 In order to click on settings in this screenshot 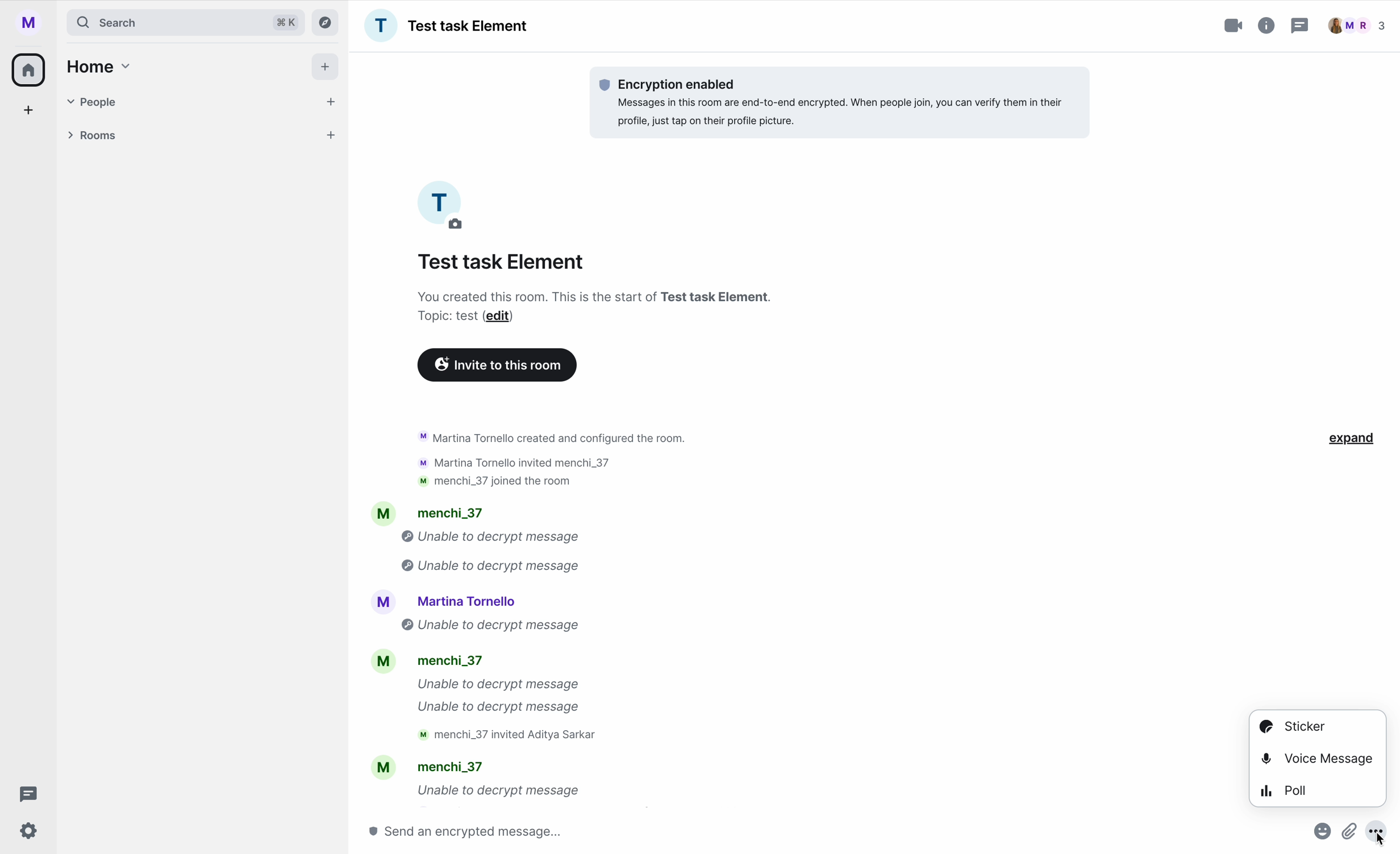, I will do `click(30, 832)`.